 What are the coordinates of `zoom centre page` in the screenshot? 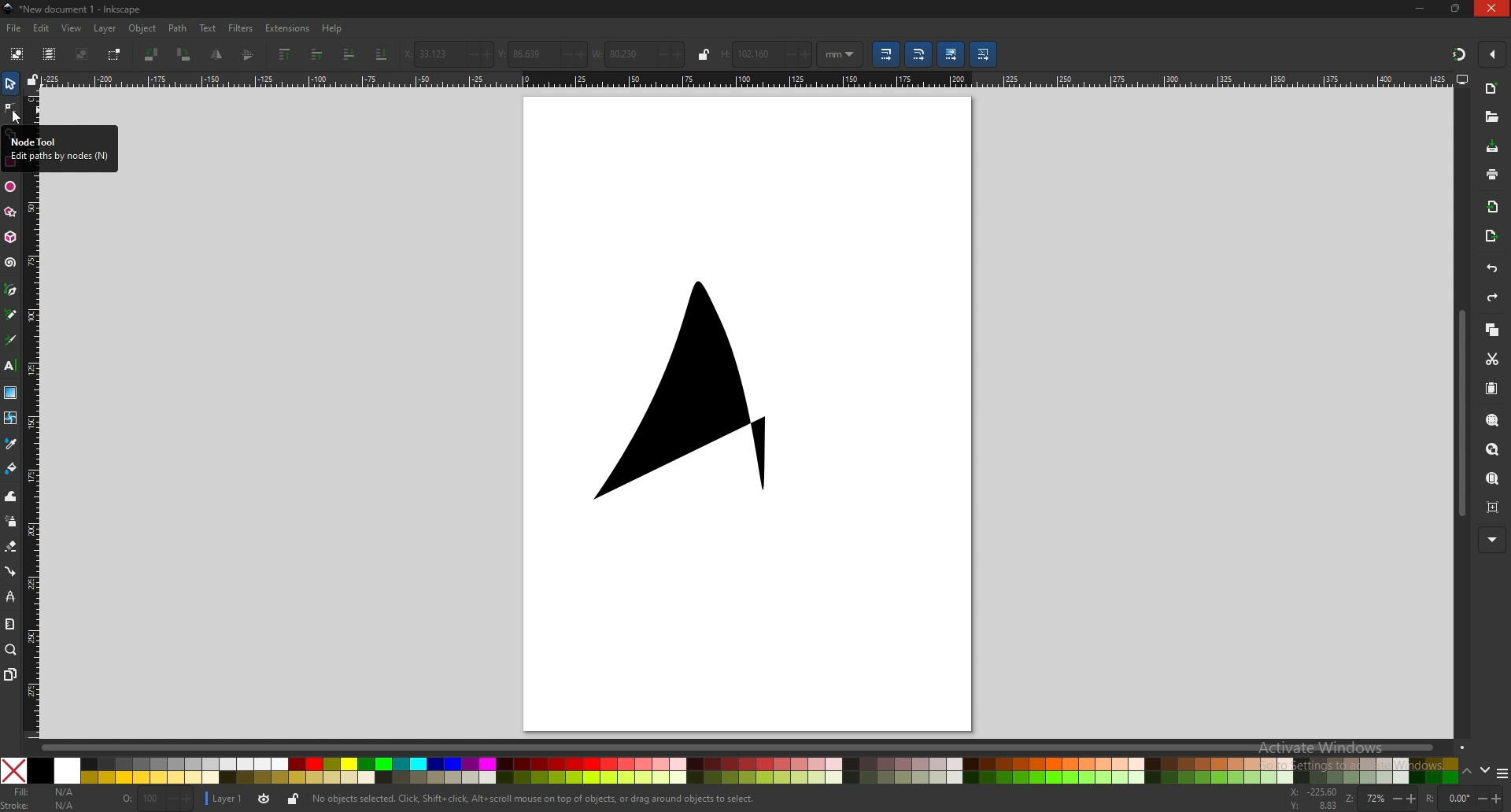 It's located at (1494, 508).